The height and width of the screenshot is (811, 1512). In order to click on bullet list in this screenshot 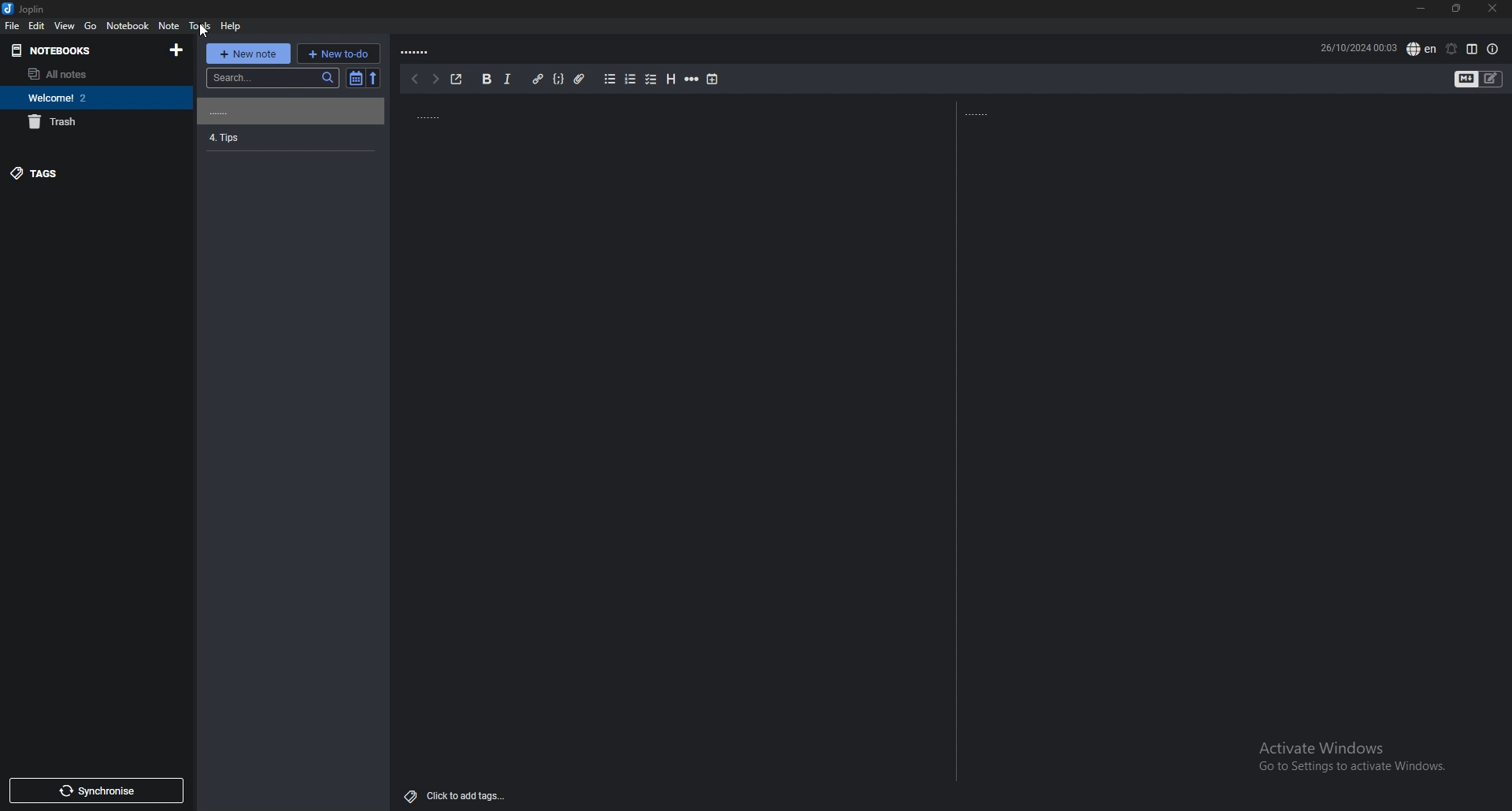, I will do `click(611, 79)`.